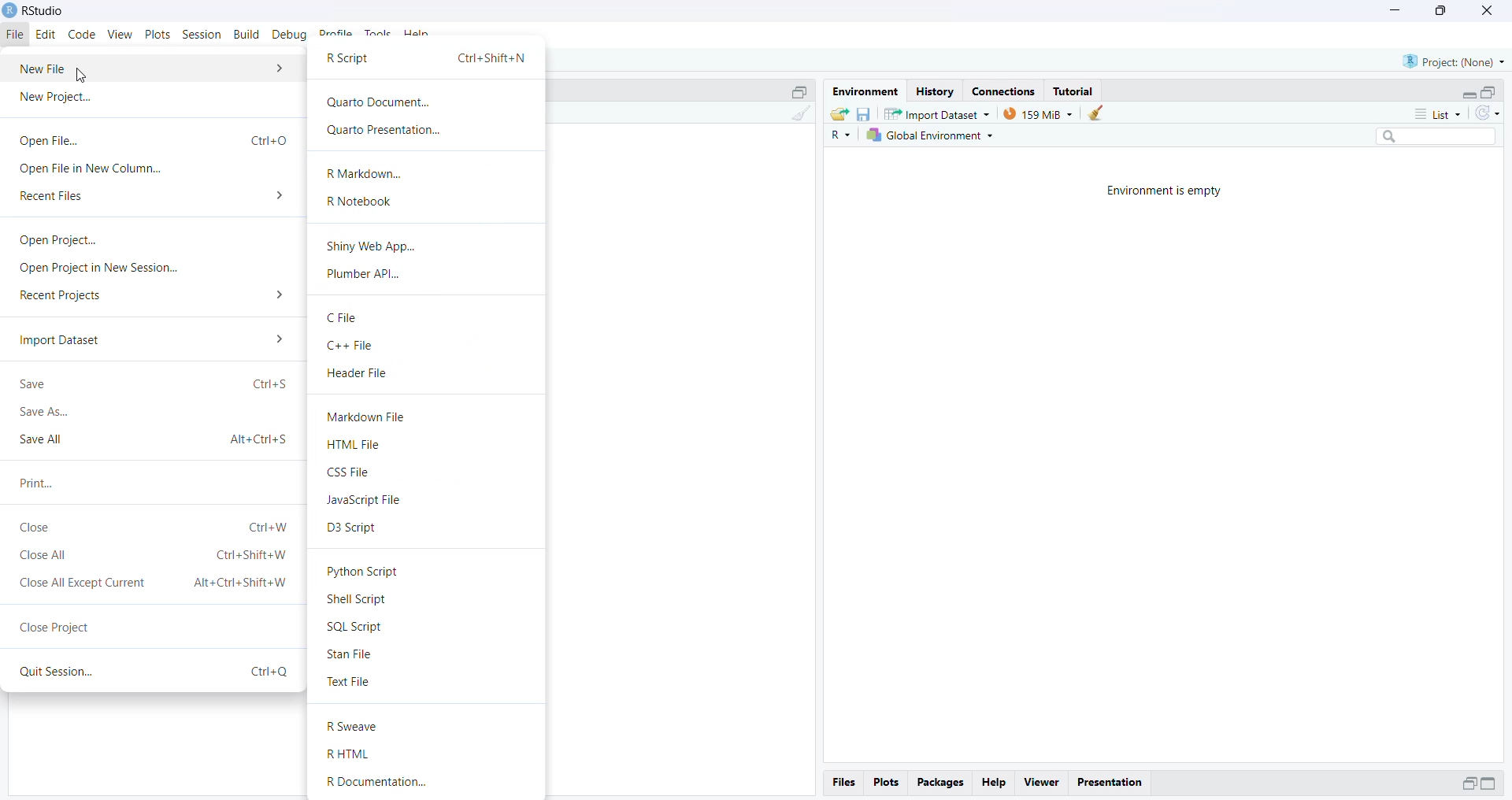 The image size is (1512, 800). I want to click on Stan File, so click(353, 655).